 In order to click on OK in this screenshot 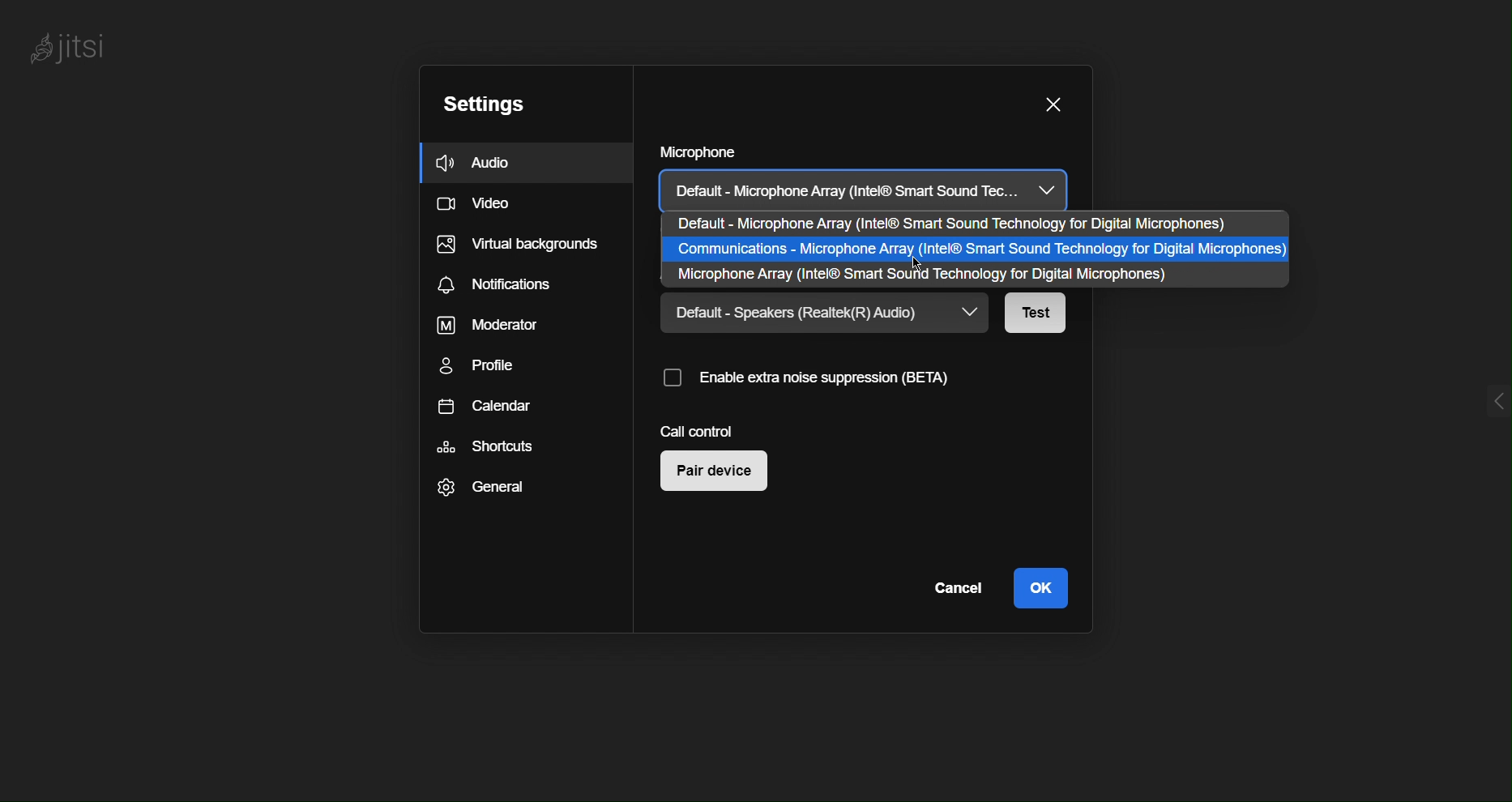, I will do `click(1039, 587)`.